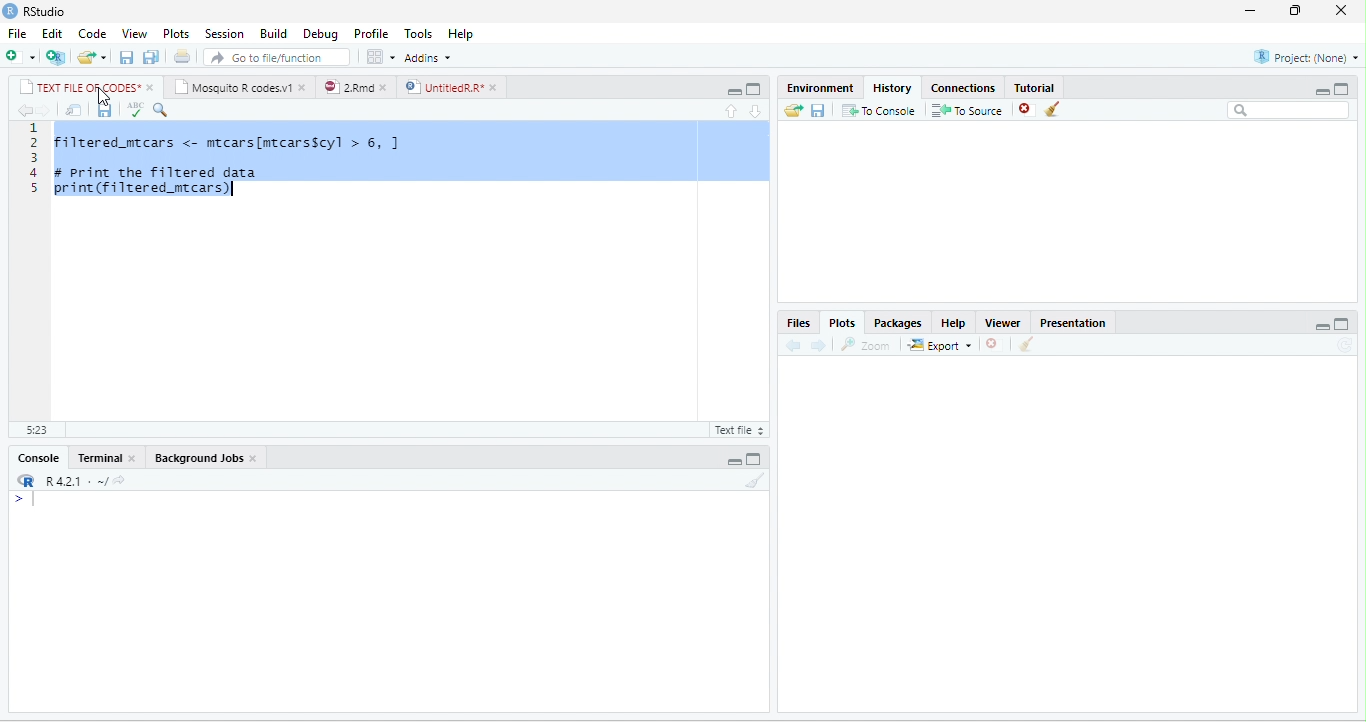  Describe the element at coordinates (892, 88) in the screenshot. I see `History` at that location.